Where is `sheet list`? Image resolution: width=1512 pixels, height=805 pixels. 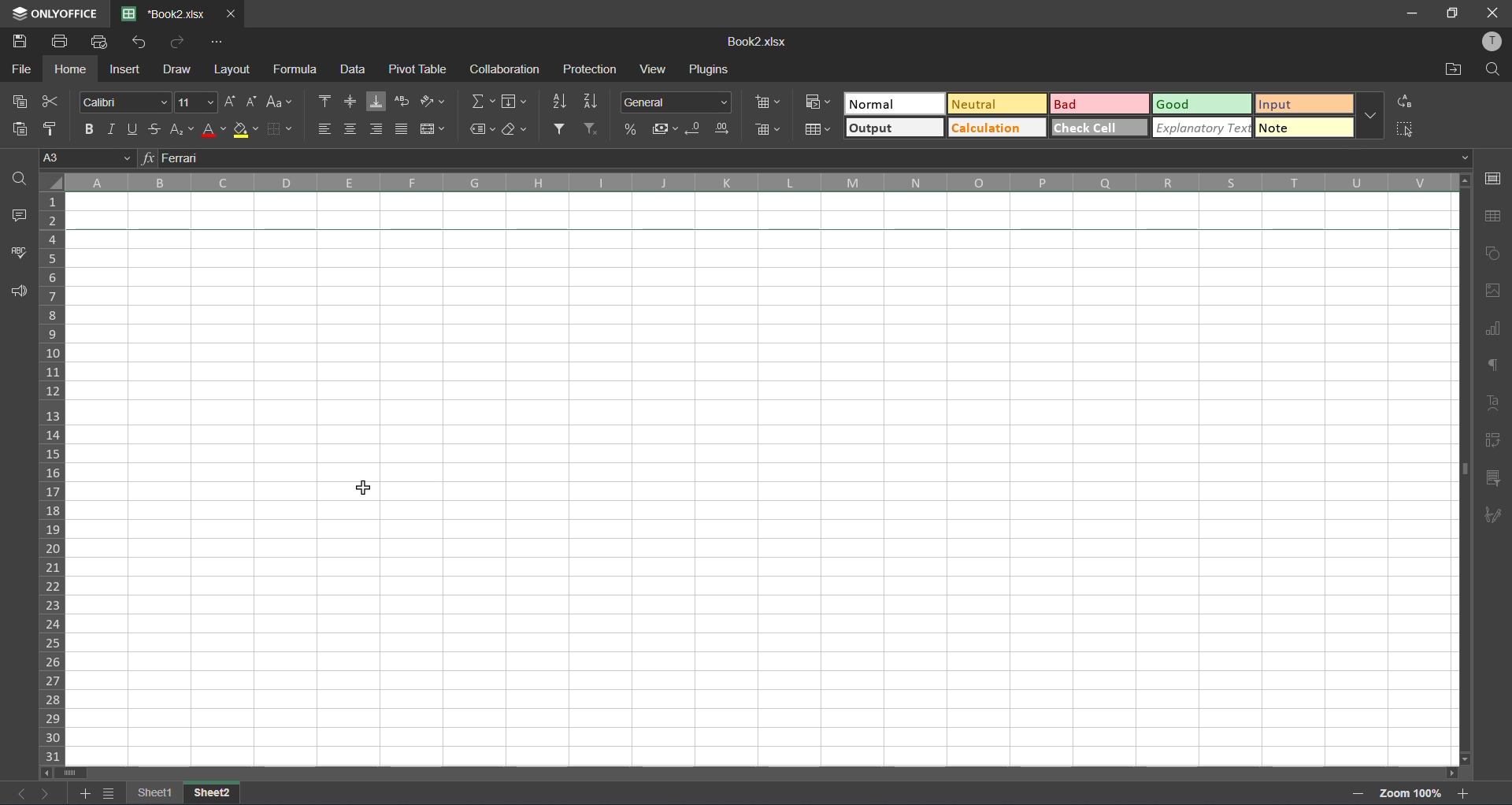
sheet list is located at coordinates (110, 793).